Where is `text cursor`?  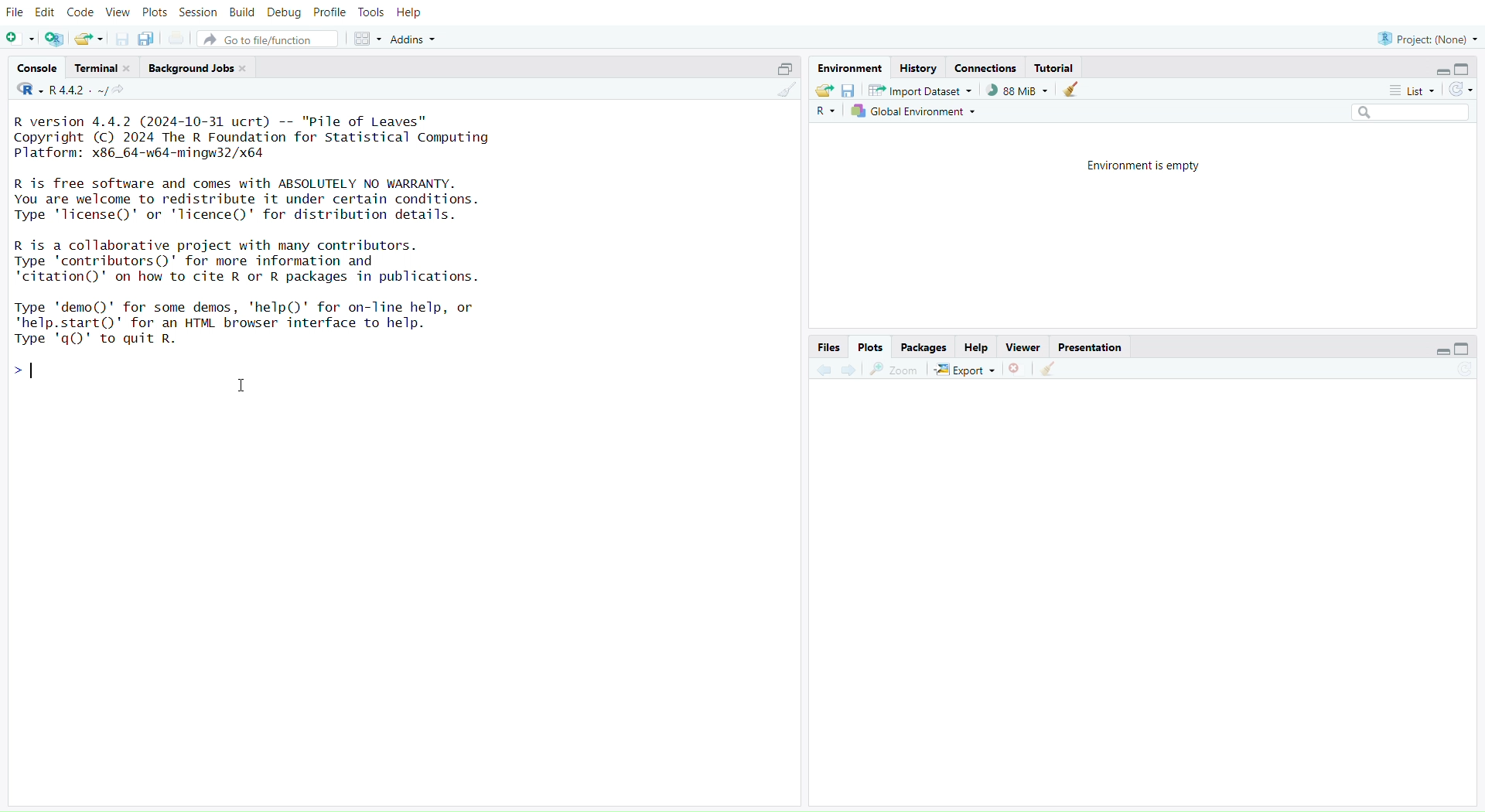
text cursor is located at coordinates (35, 371).